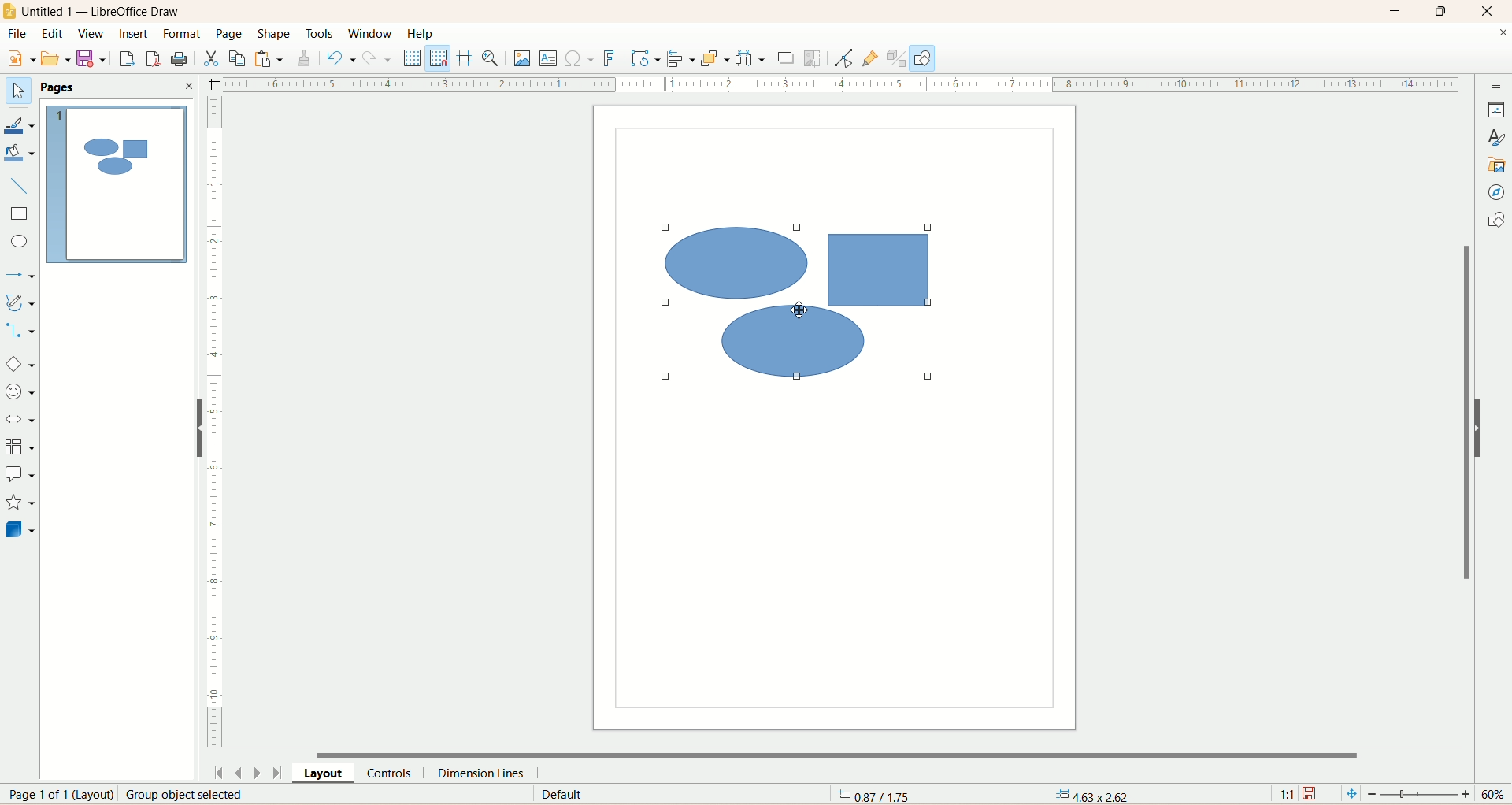 The image size is (1512, 805). I want to click on next, so click(259, 773).